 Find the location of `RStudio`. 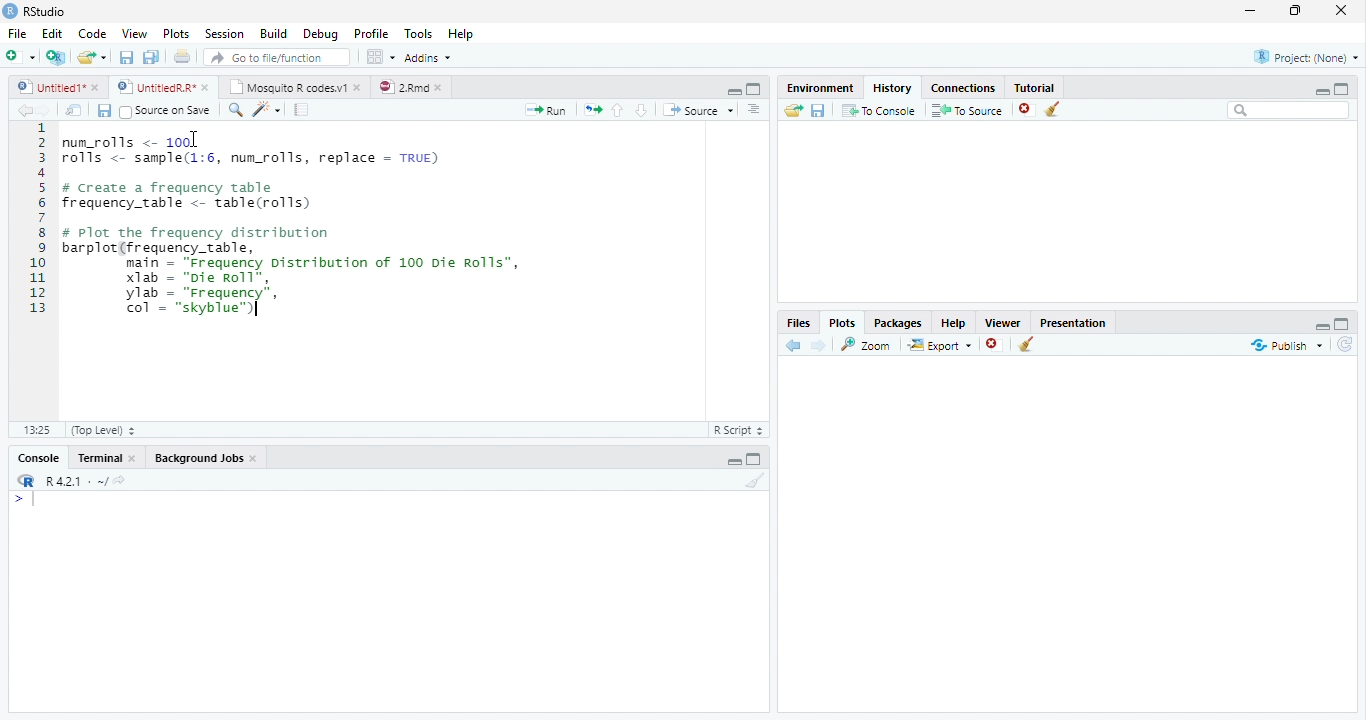

RStudio is located at coordinates (35, 11).